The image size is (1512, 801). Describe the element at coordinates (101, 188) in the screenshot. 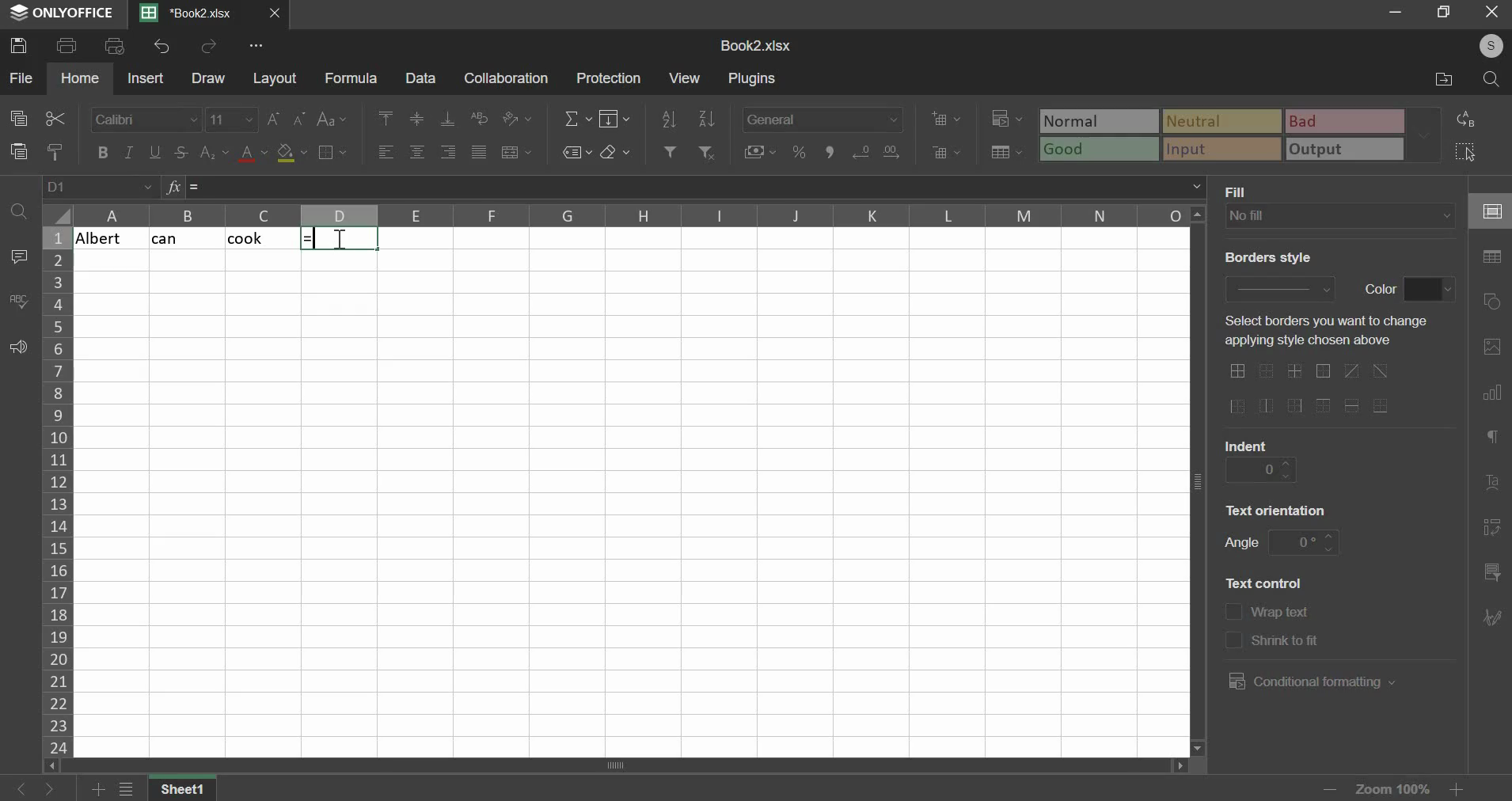

I see `cell name` at that location.